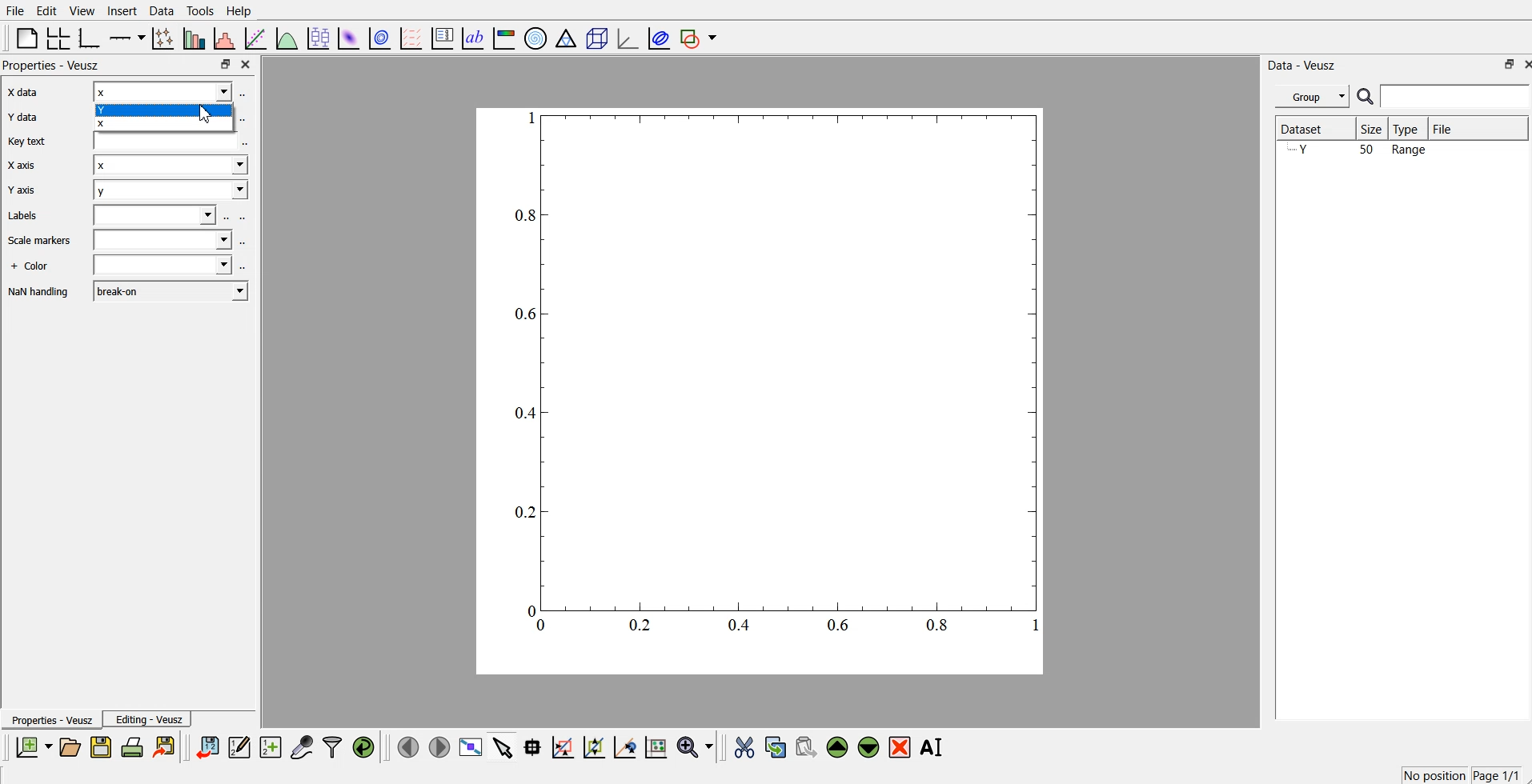 The image size is (1532, 784). What do you see at coordinates (53, 720) in the screenshot?
I see `Properties - Veusz` at bounding box center [53, 720].